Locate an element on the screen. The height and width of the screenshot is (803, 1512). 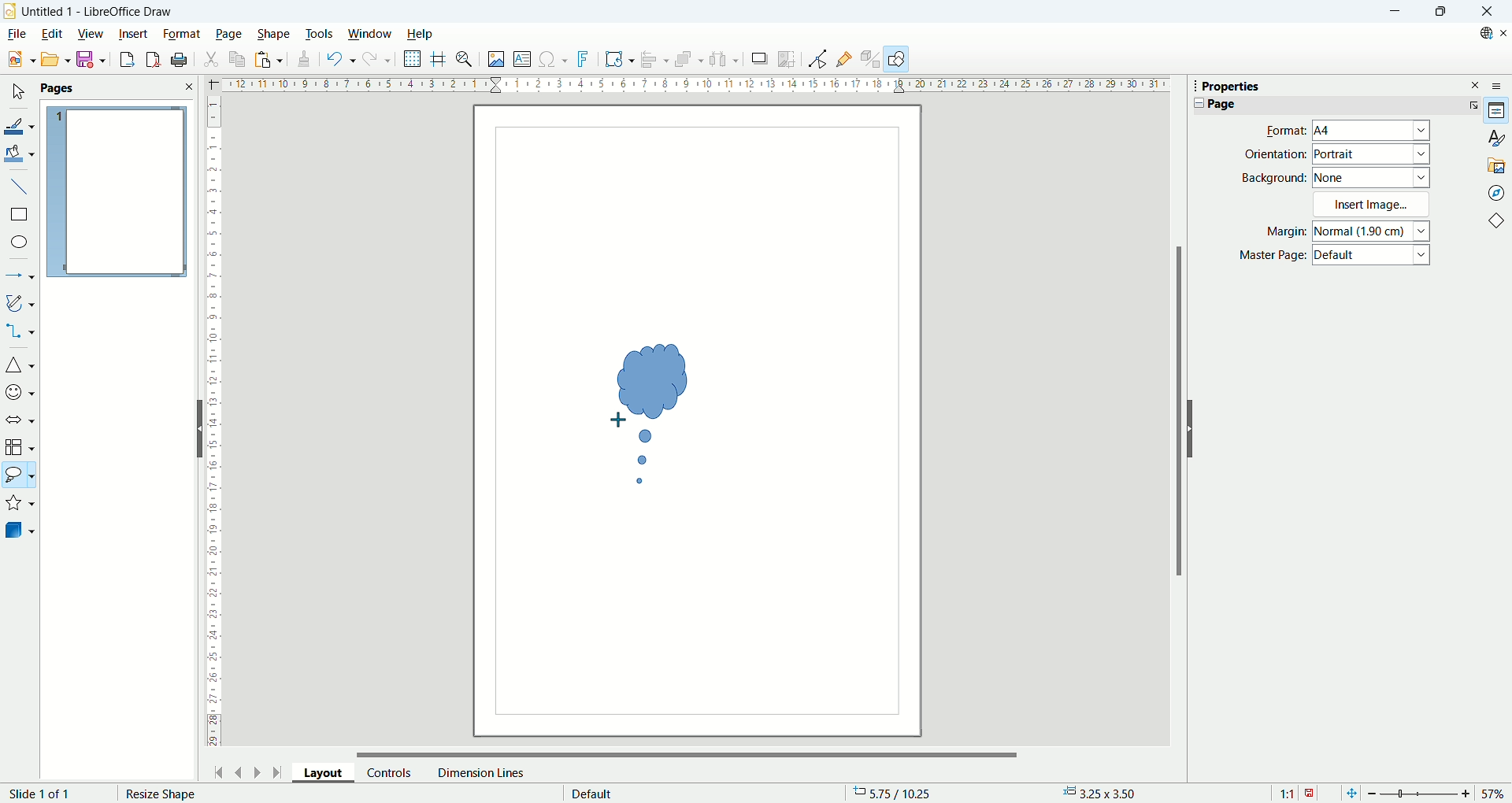
Gallery is located at coordinates (1497, 165).